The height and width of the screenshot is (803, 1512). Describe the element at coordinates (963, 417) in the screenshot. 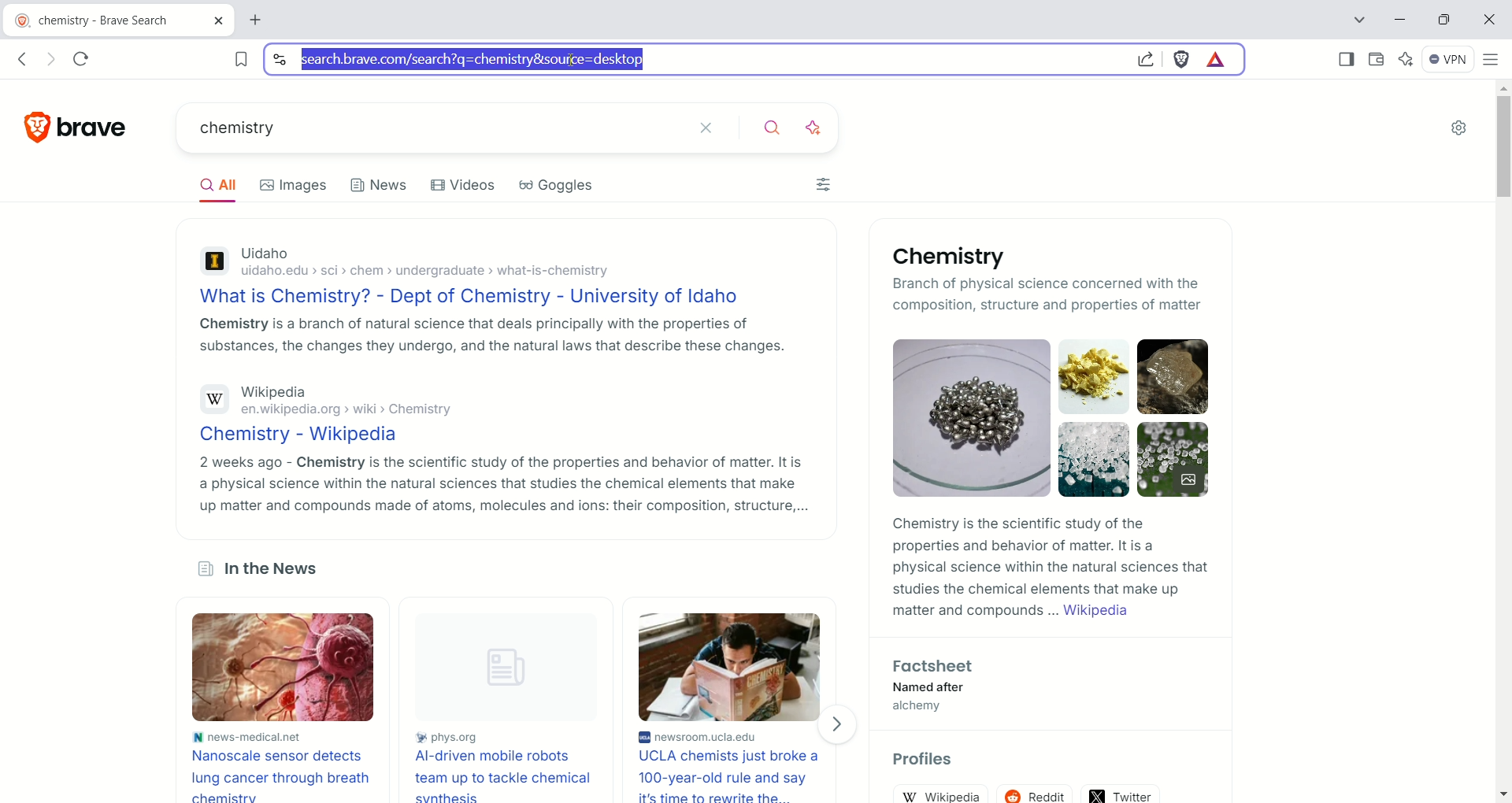

I see `images of chemical compounds` at that location.